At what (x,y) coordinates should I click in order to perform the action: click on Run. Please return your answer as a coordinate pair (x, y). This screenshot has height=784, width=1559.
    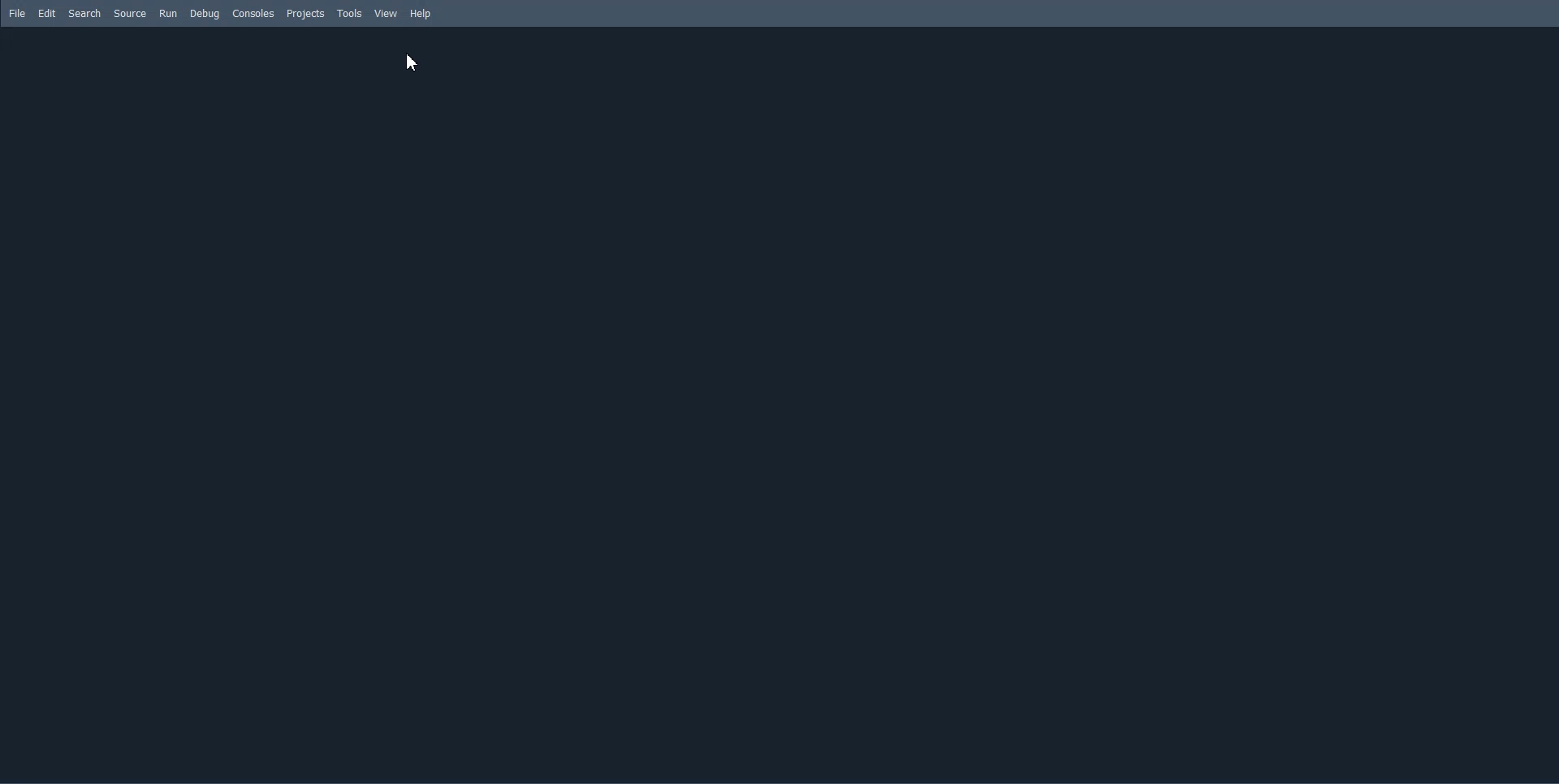
    Looking at the image, I should click on (168, 13).